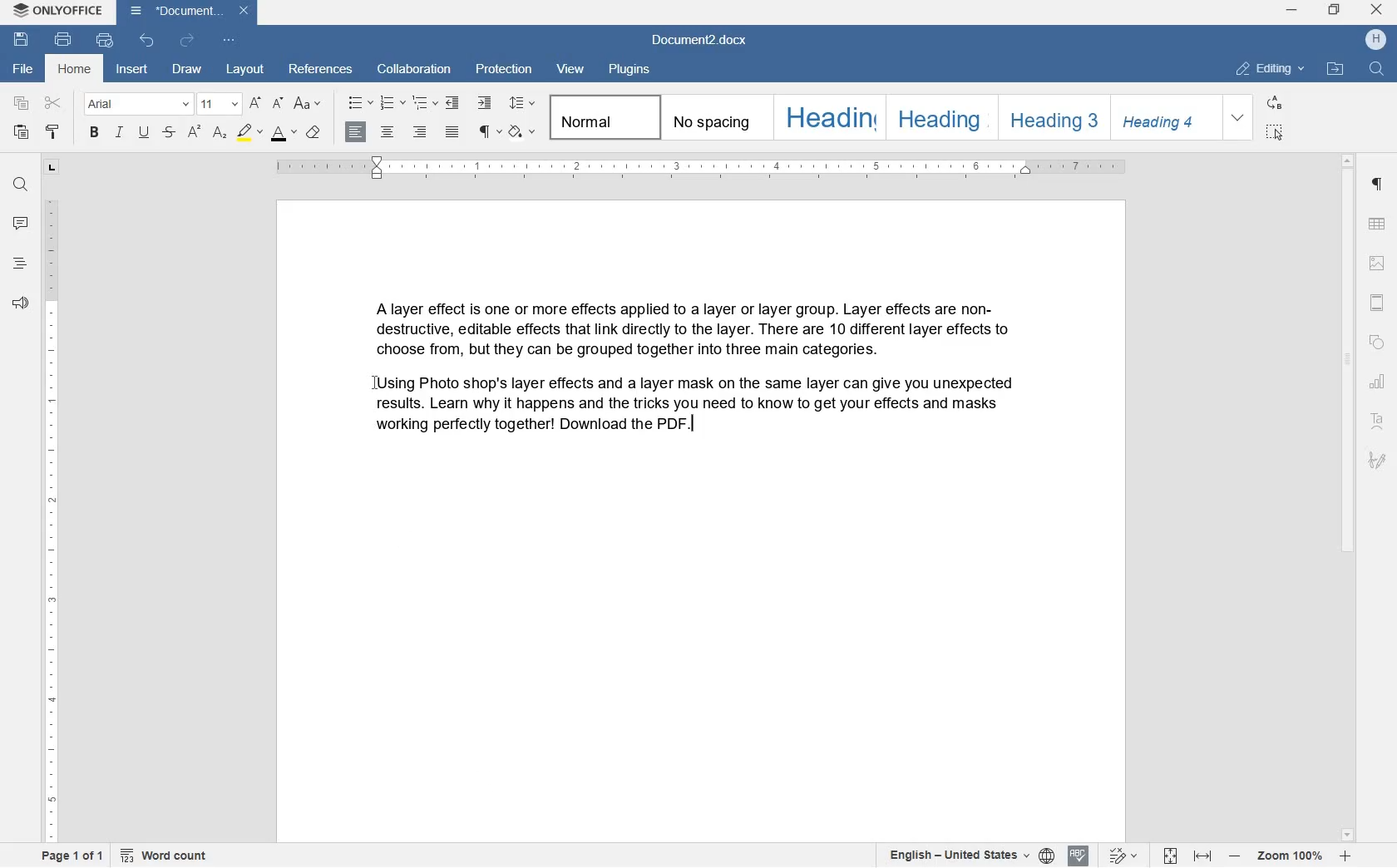  What do you see at coordinates (971, 856) in the screenshot?
I see `SELECT TEXT OR DOCUMENT LANGUAGE` at bounding box center [971, 856].